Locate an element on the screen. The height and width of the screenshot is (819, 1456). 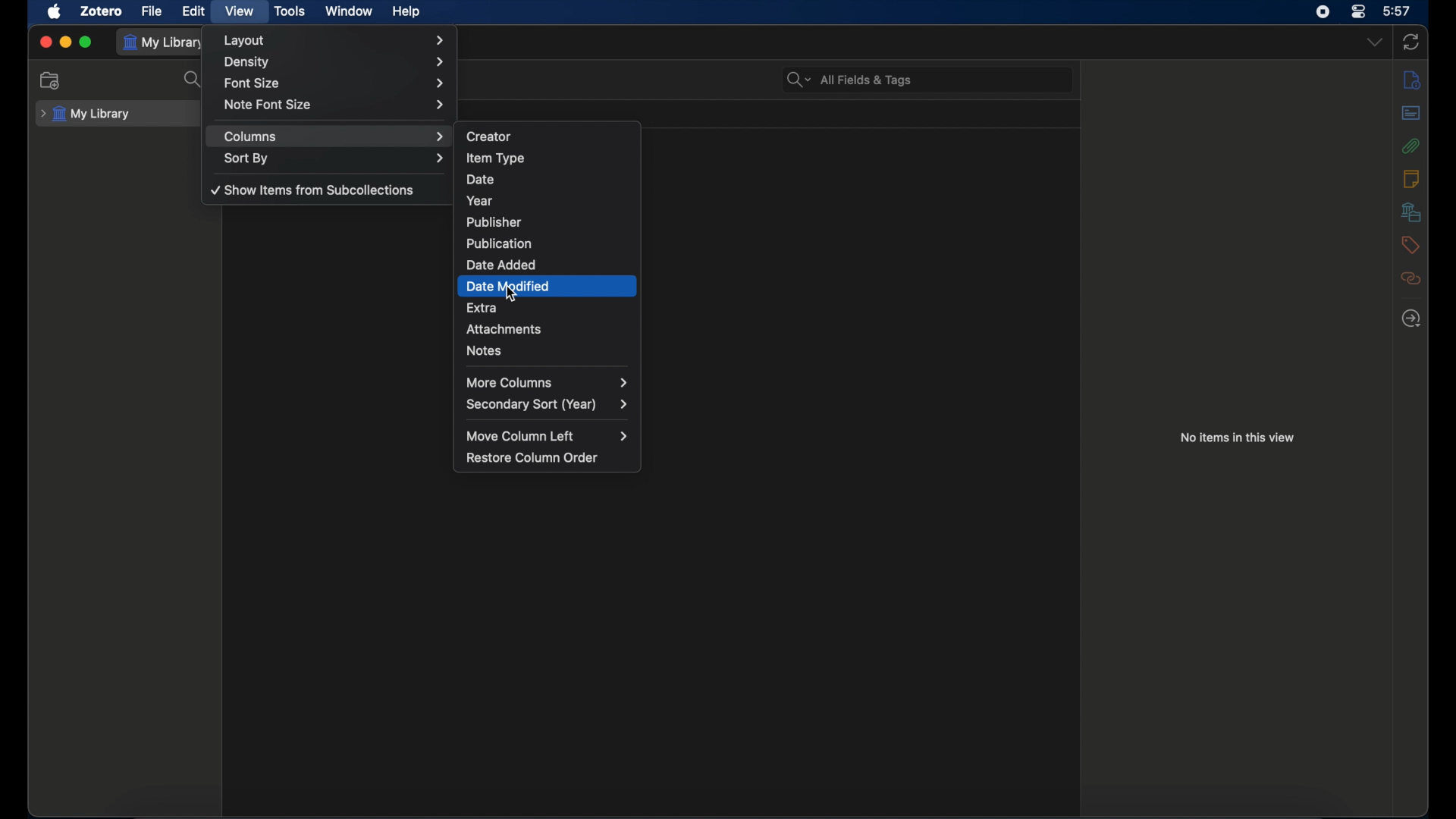
info is located at coordinates (1412, 79).